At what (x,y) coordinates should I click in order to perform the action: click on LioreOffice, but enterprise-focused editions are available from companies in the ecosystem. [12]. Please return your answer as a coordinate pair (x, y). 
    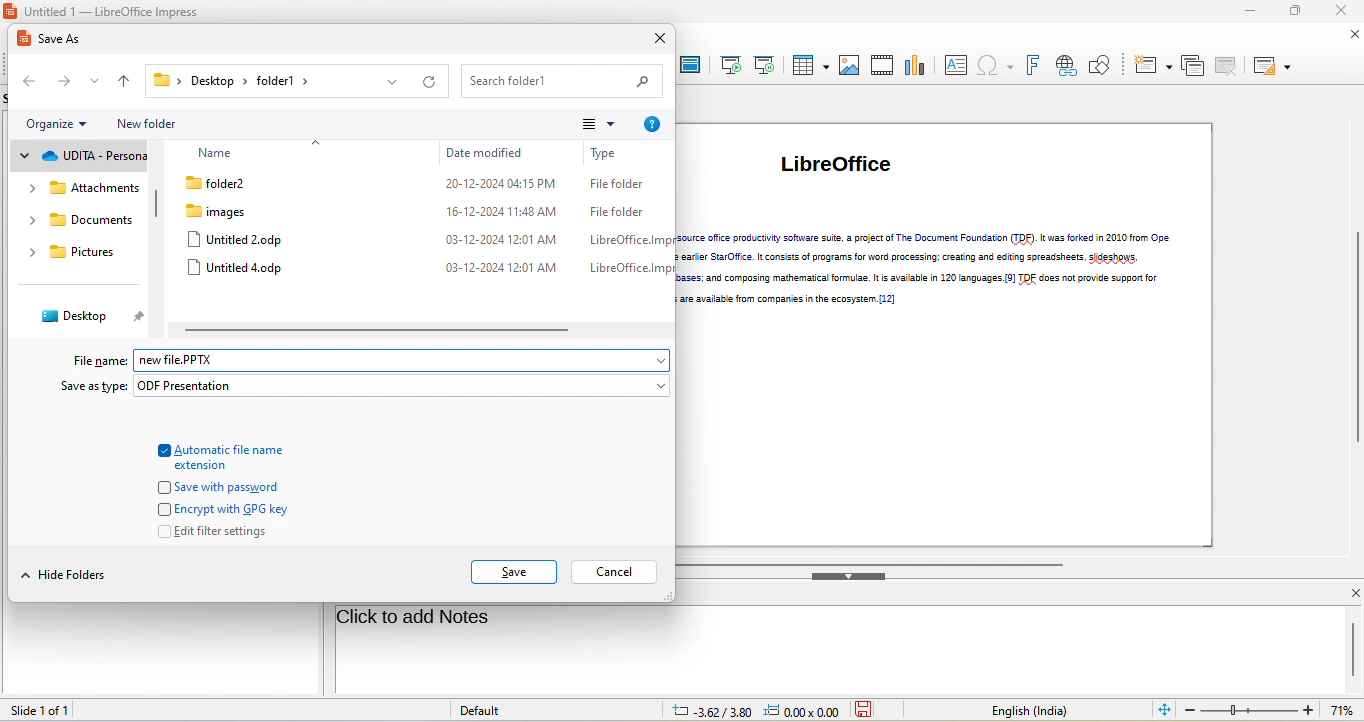
    Looking at the image, I should click on (800, 300).